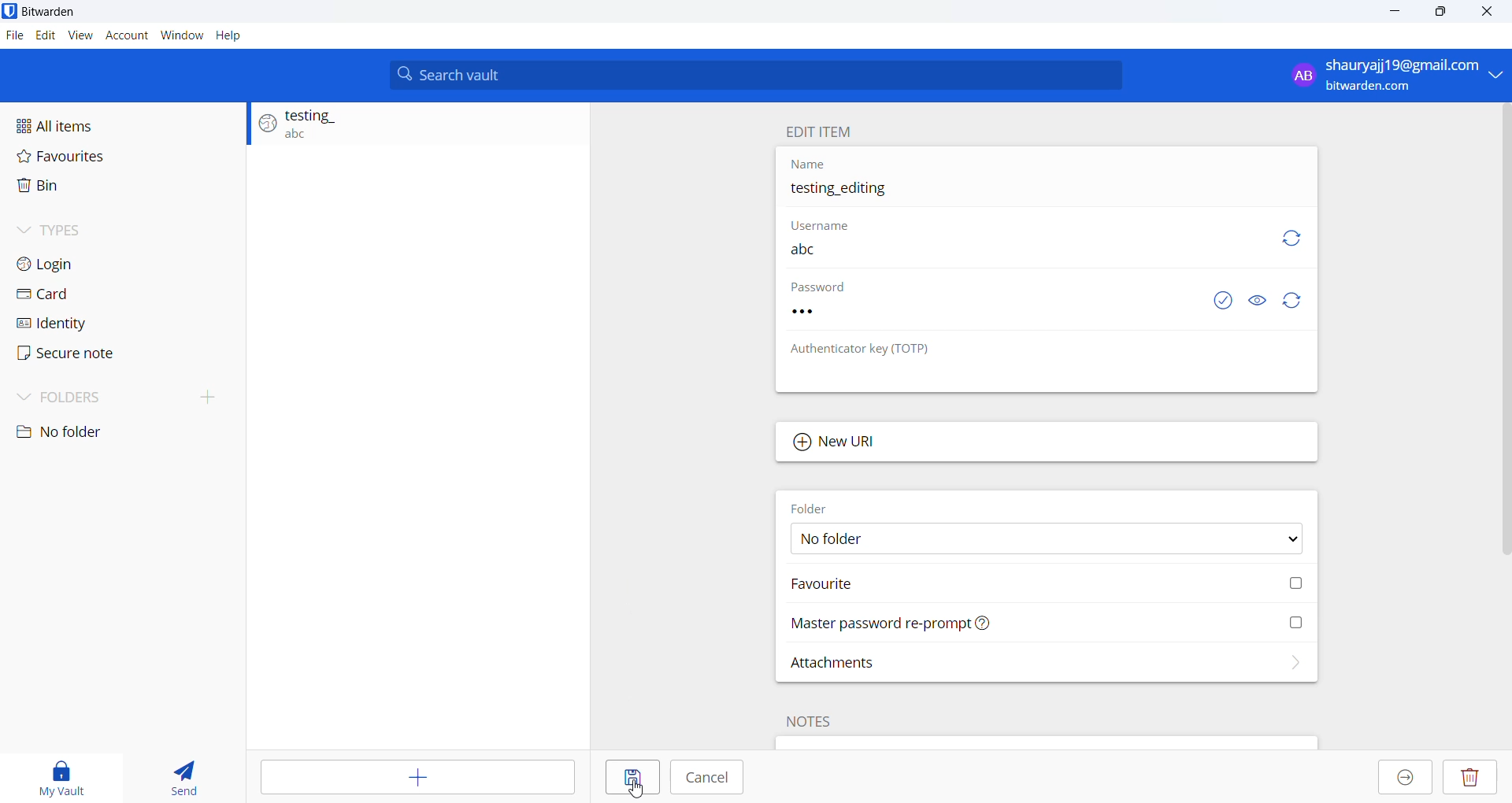 The width and height of the screenshot is (1512, 803). I want to click on Identity, so click(98, 322).